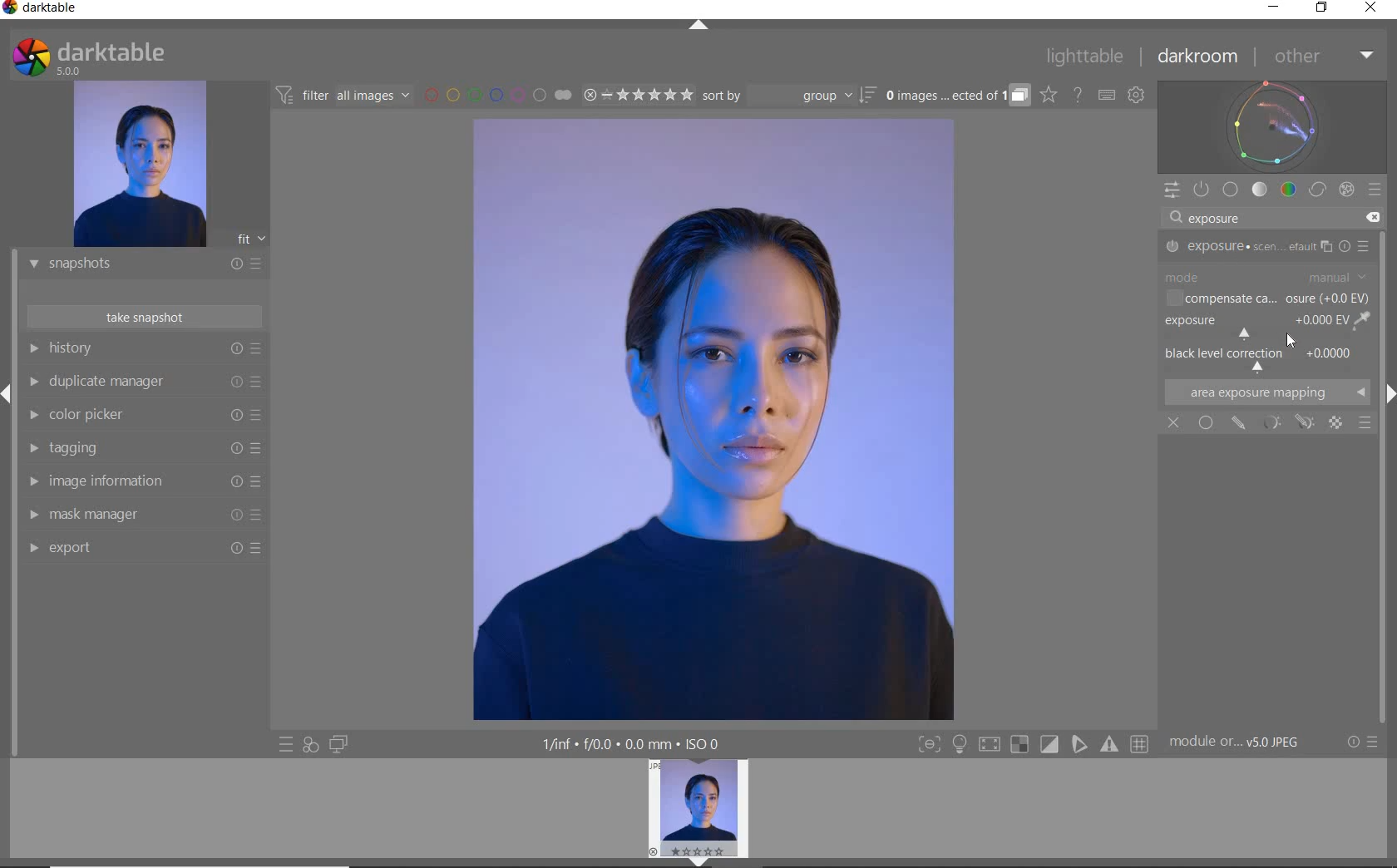 The image size is (1397, 868). Describe the element at coordinates (1261, 190) in the screenshot. I see `TONE` at that location.